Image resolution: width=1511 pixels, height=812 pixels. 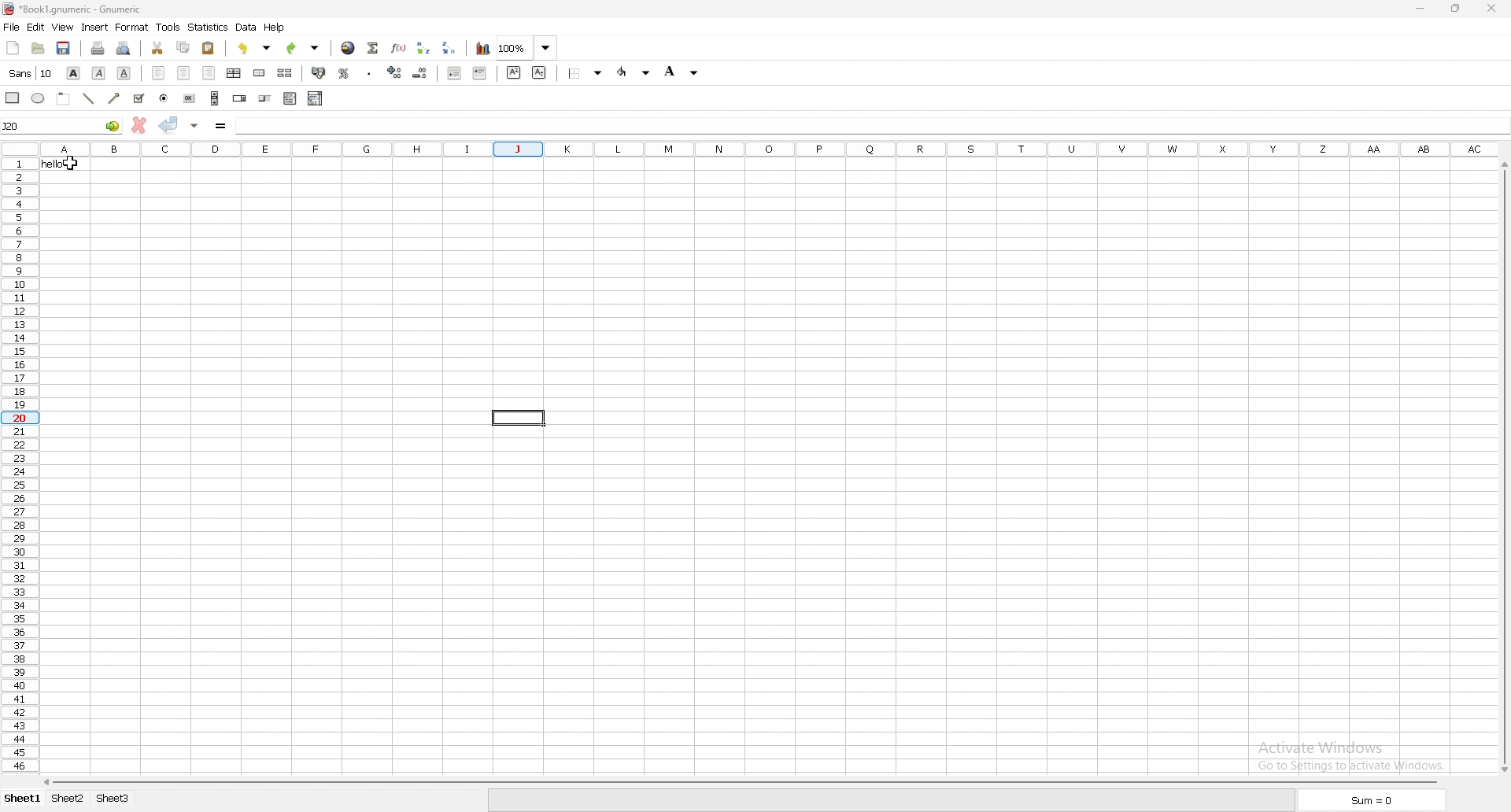 What do you see at coordinates (344, 73) in the screenshot?
I see `percentage` at bounding box center [344, 73].